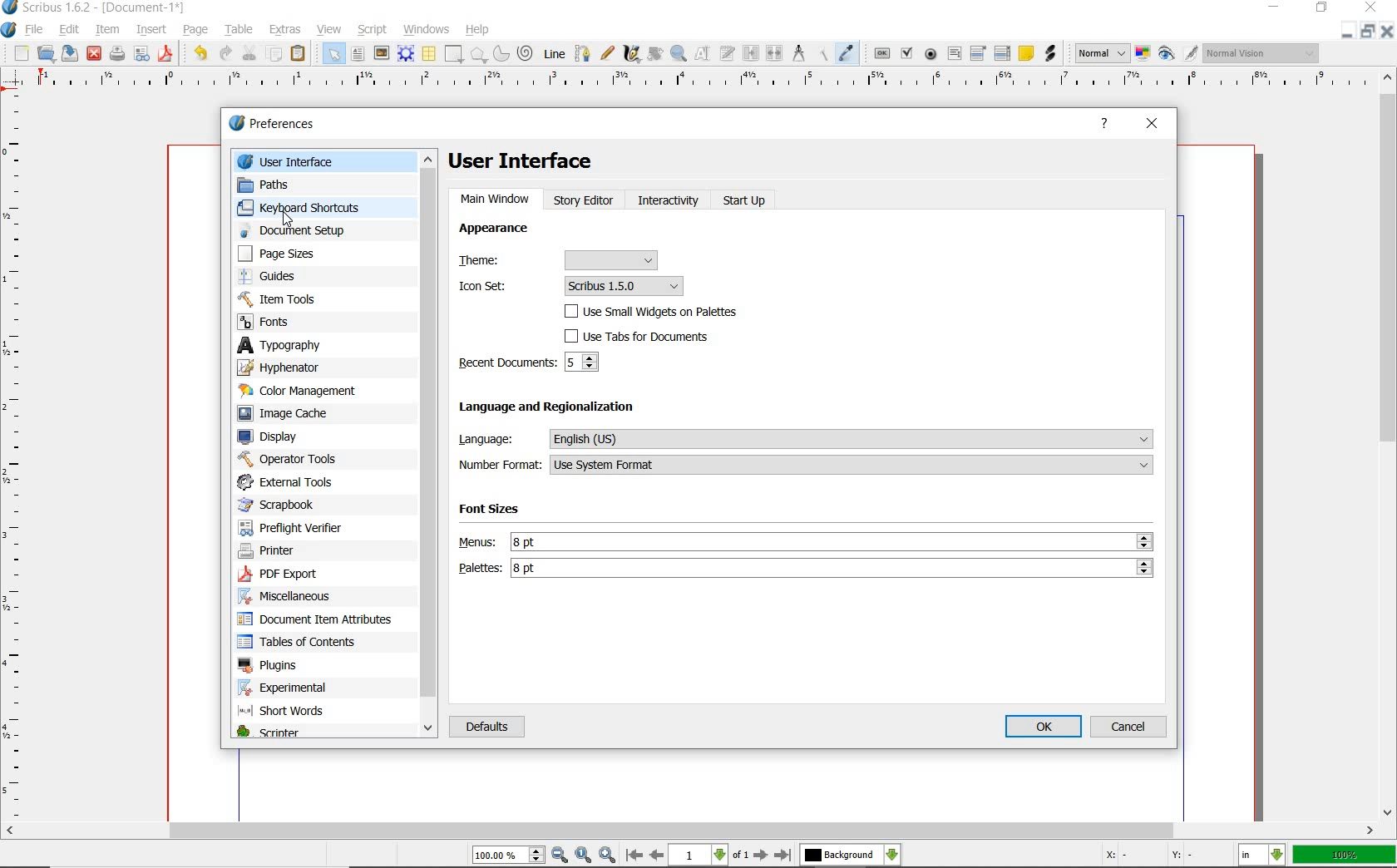  Describe the element at coordinates (141, 57) in the screenshot. I see `` at that location.